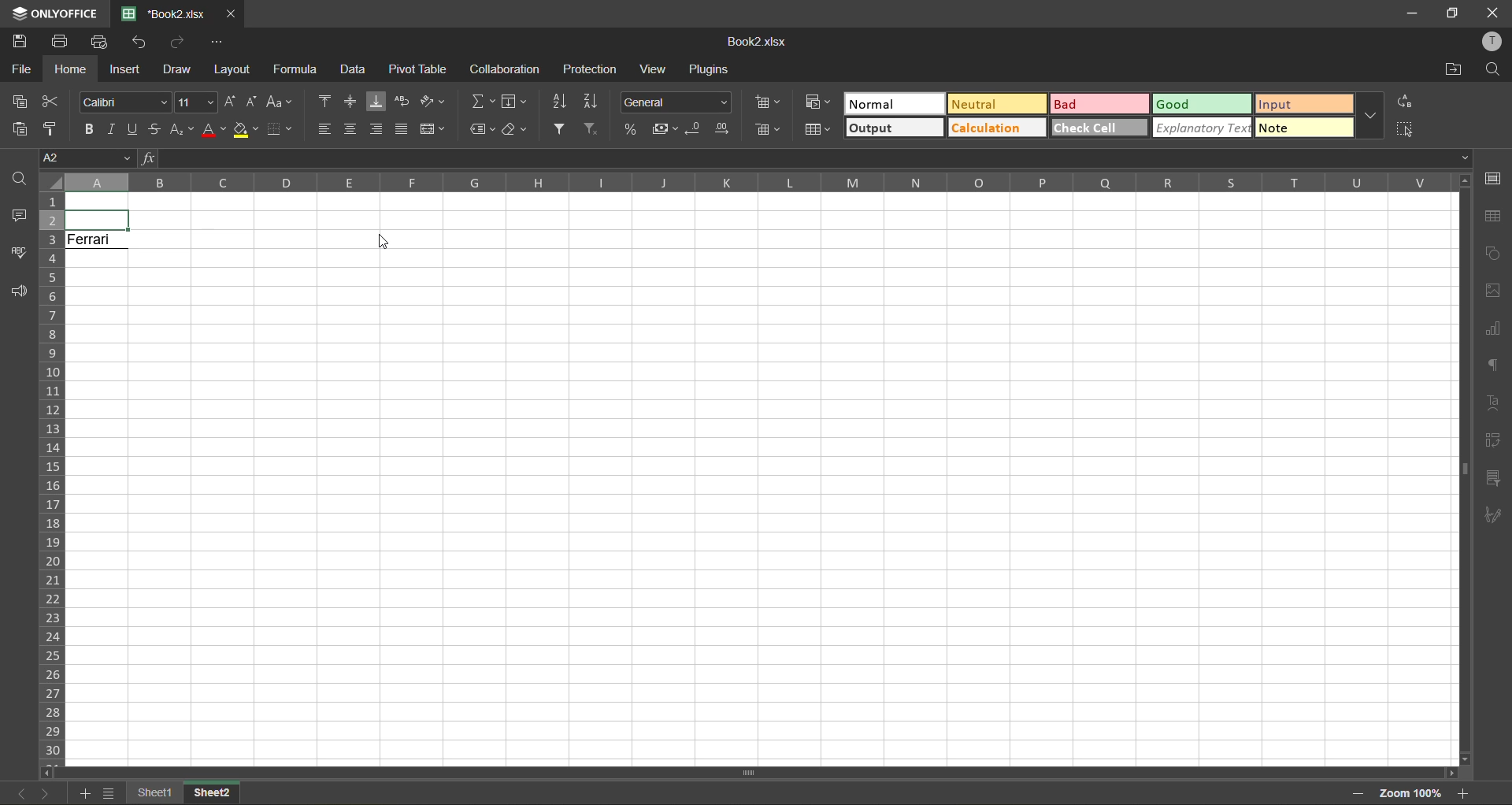  I want to click on replace, so click(1406, 101).